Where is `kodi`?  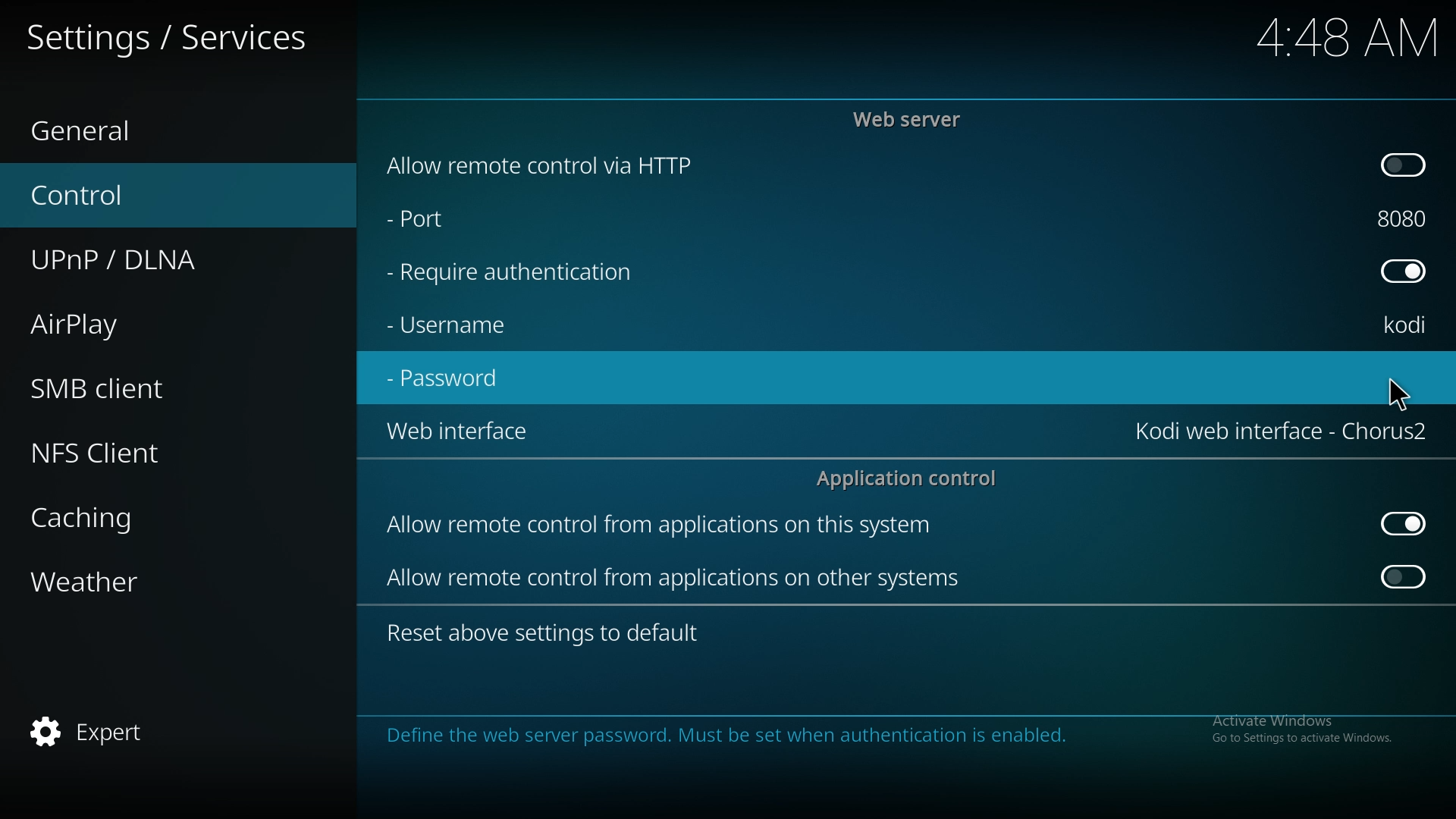 kodi is located at coordinates (1410, 325).